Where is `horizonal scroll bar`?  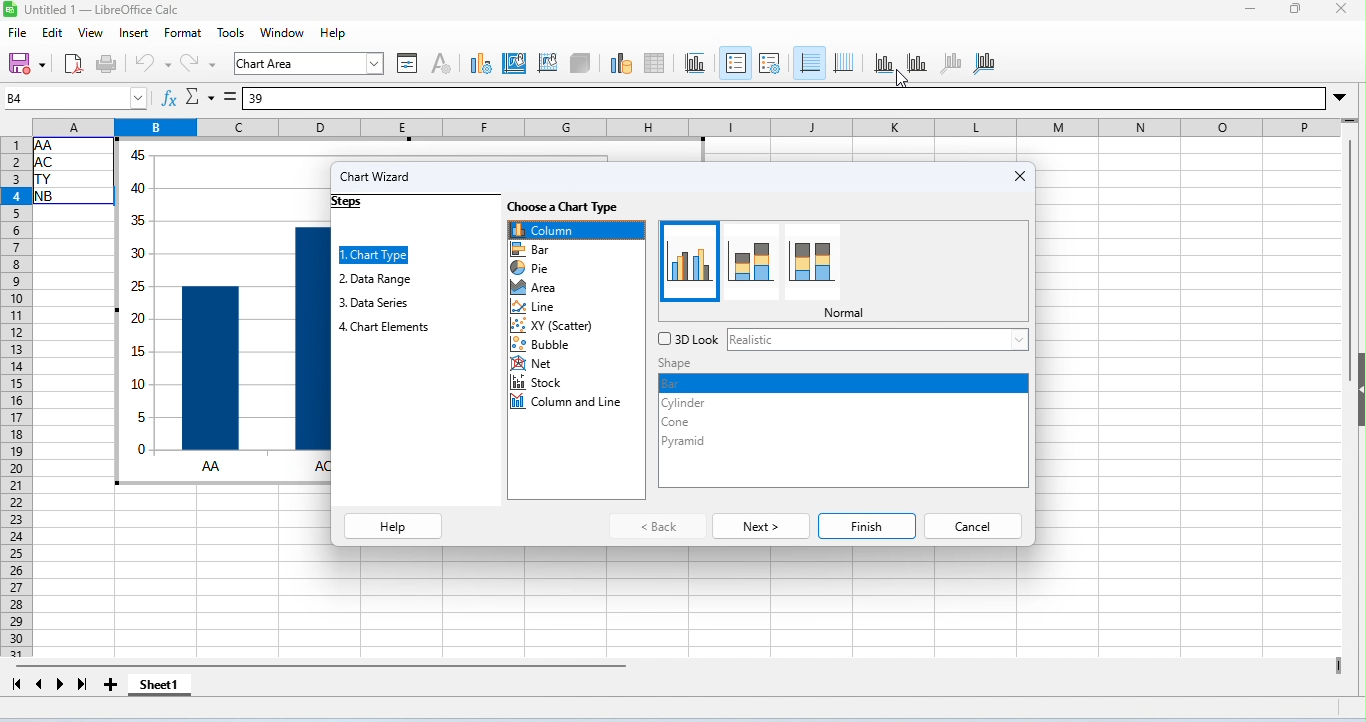
horizonal scroll bar is located at coordinates (334, 667).